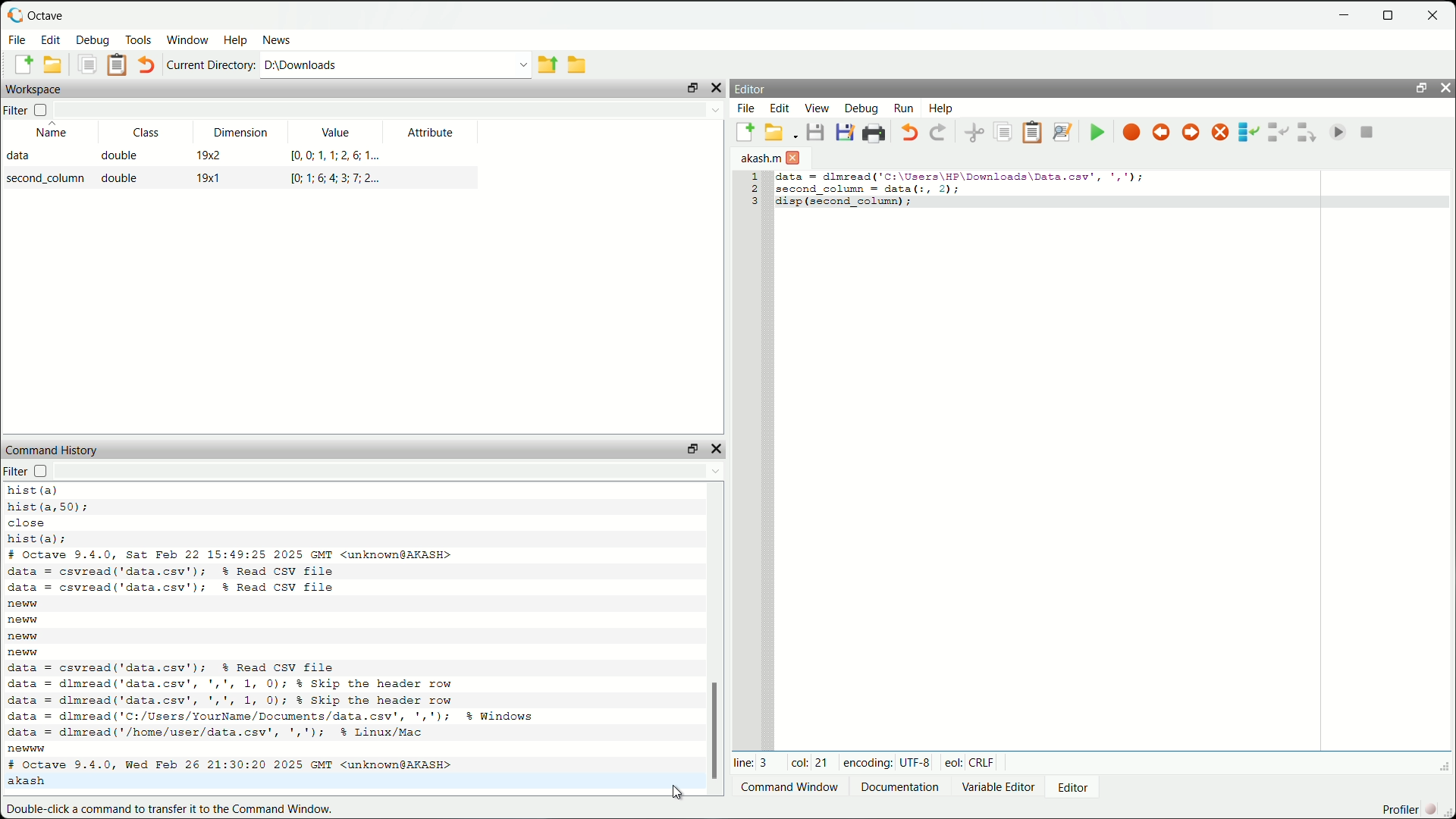 The width and height of the screenshot is (1456, 819). What do you see at coordinates (20, 64) in the screenshot?
I see `new script` at bounding box center [20, 64].